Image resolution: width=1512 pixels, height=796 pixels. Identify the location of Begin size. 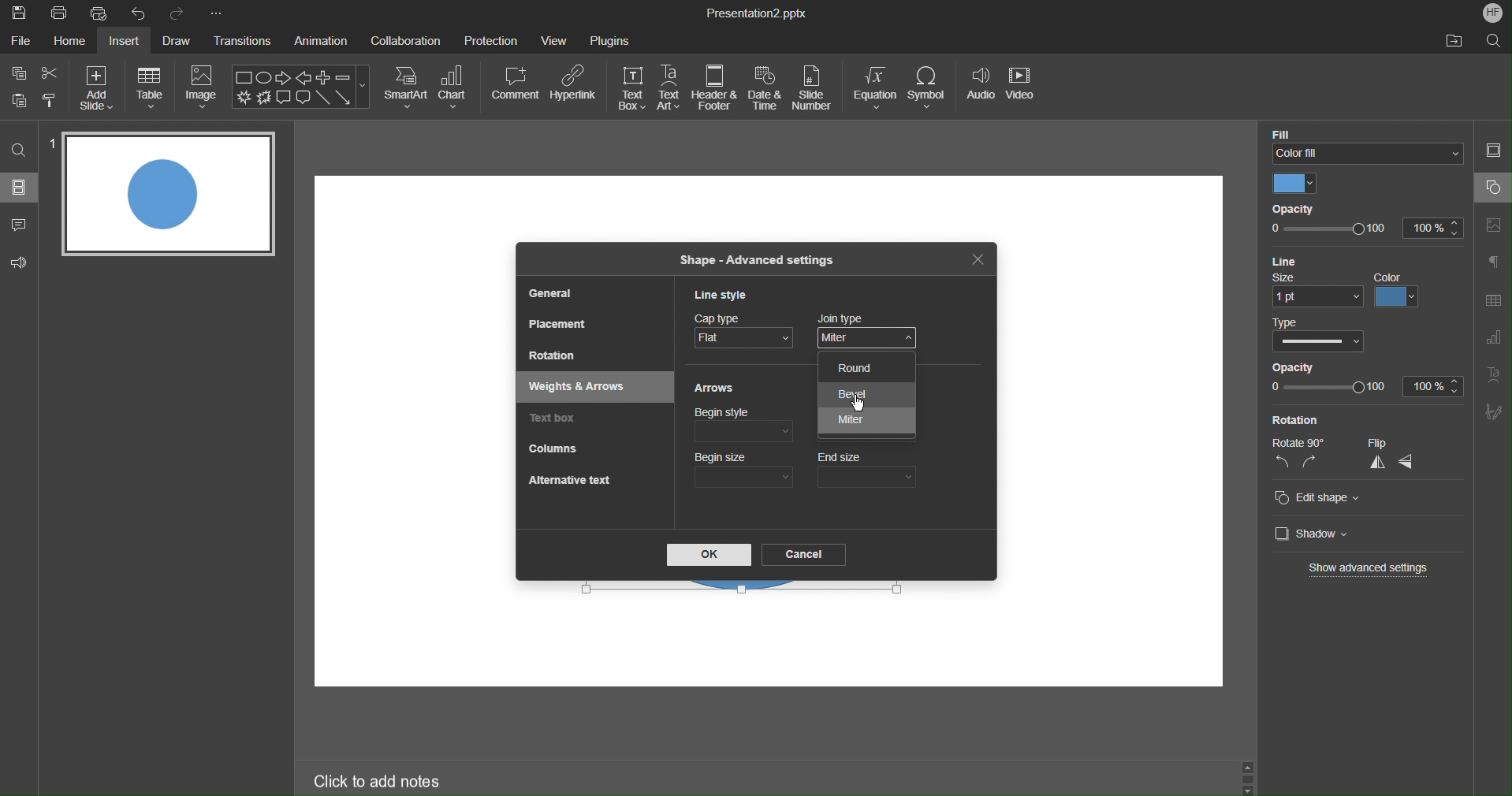
(744, 470).